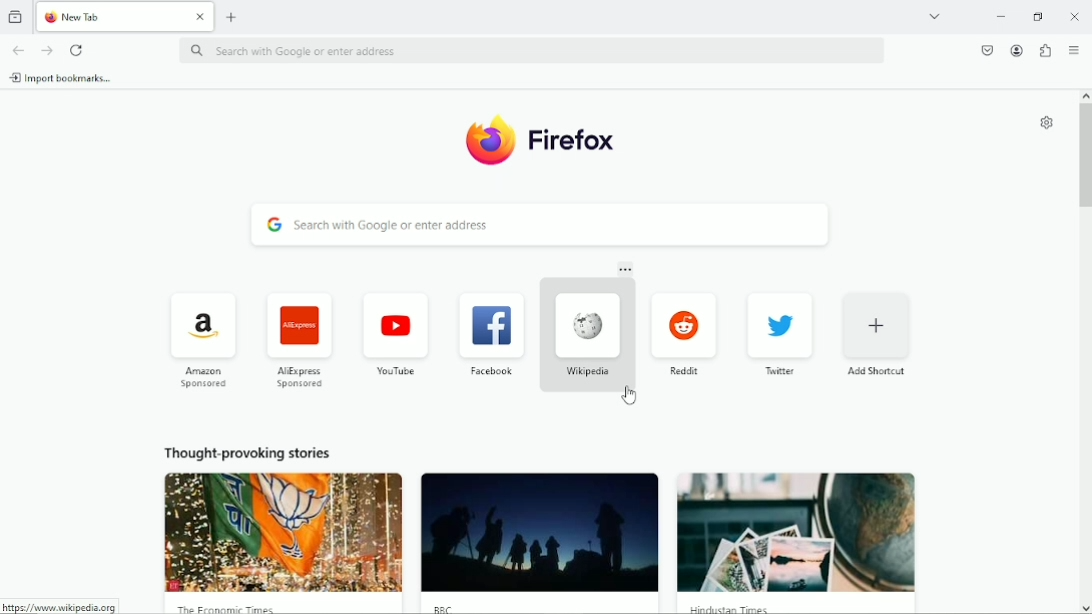 The height and width of the screenshot is (614, 1092). What do you see at coordinates (986, 51) in the screenshot?
I see `save to pocket` at bounding box center [986, 51].